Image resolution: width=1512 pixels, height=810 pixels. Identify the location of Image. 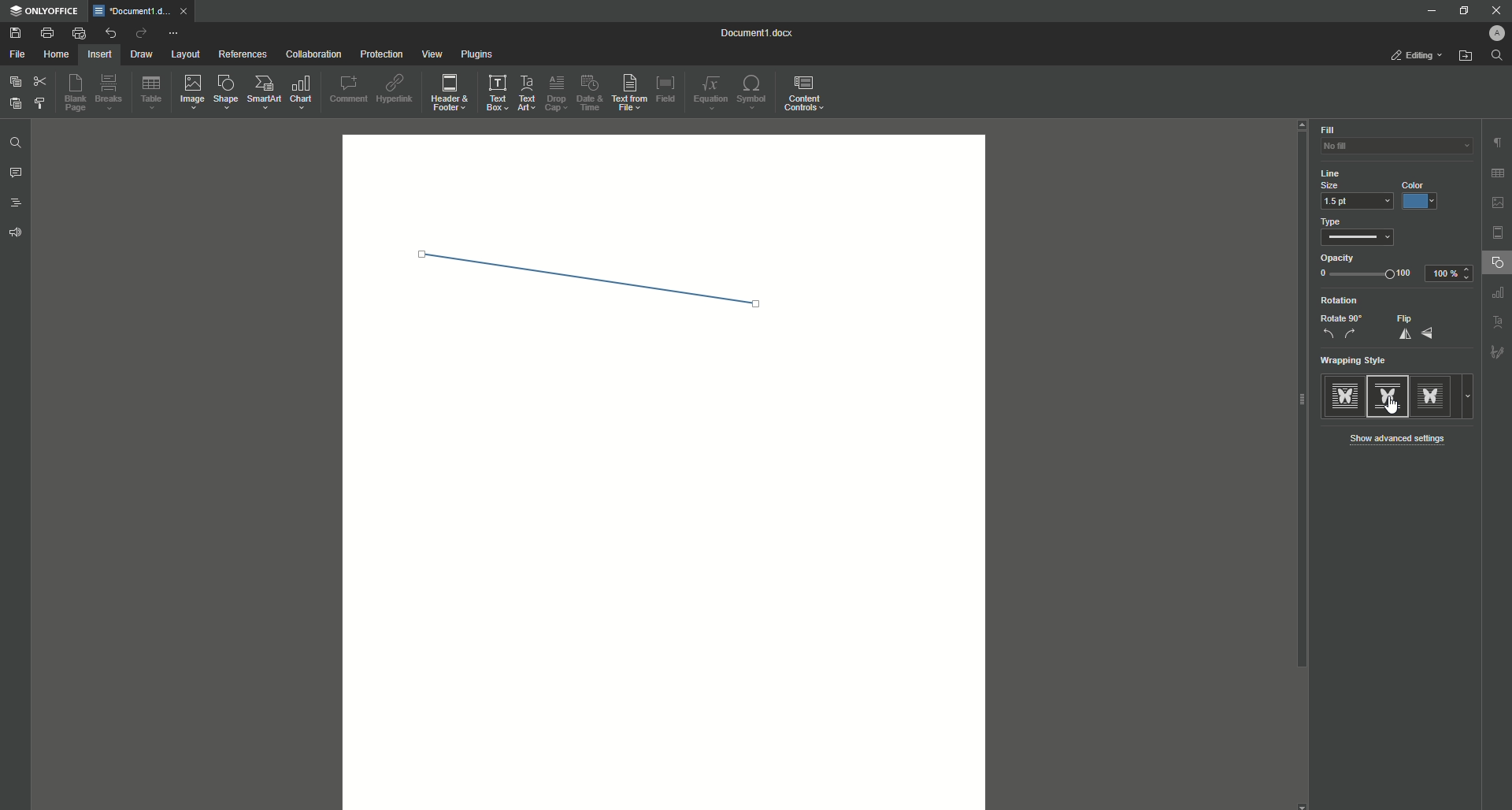
(194, 94).